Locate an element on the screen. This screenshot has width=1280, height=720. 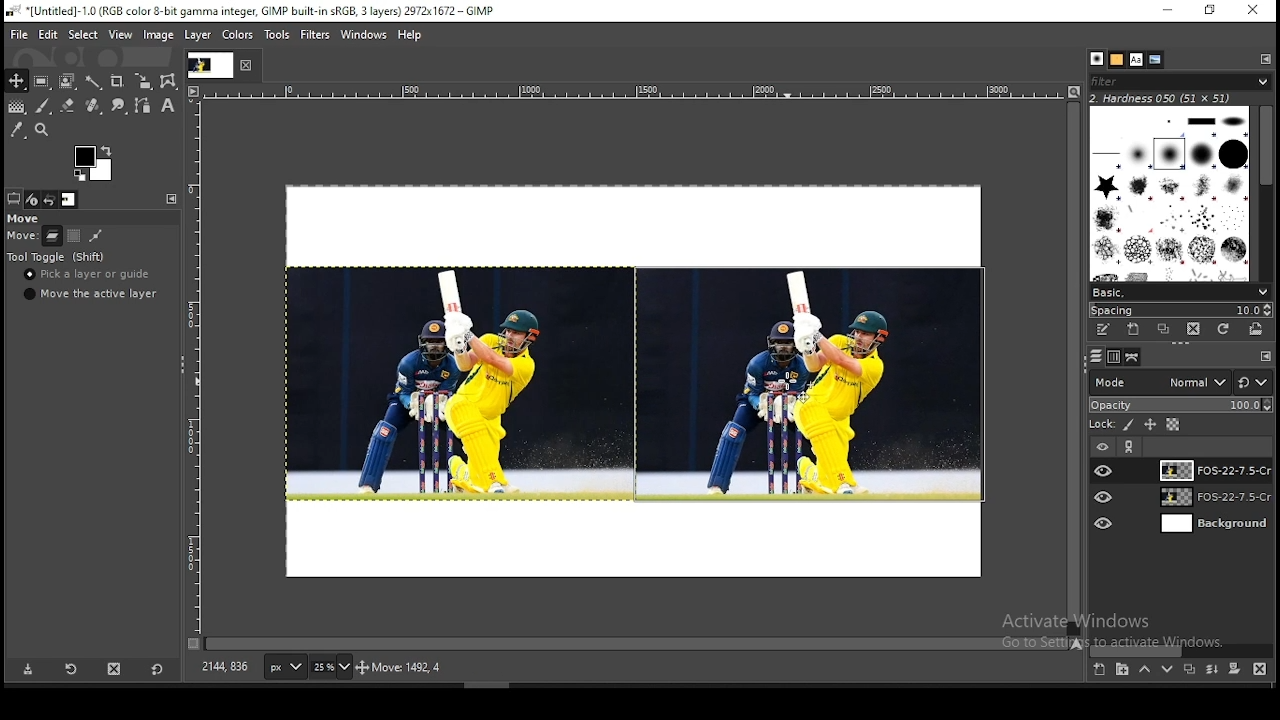
open brush as image is located at coordinates (1258, 329).